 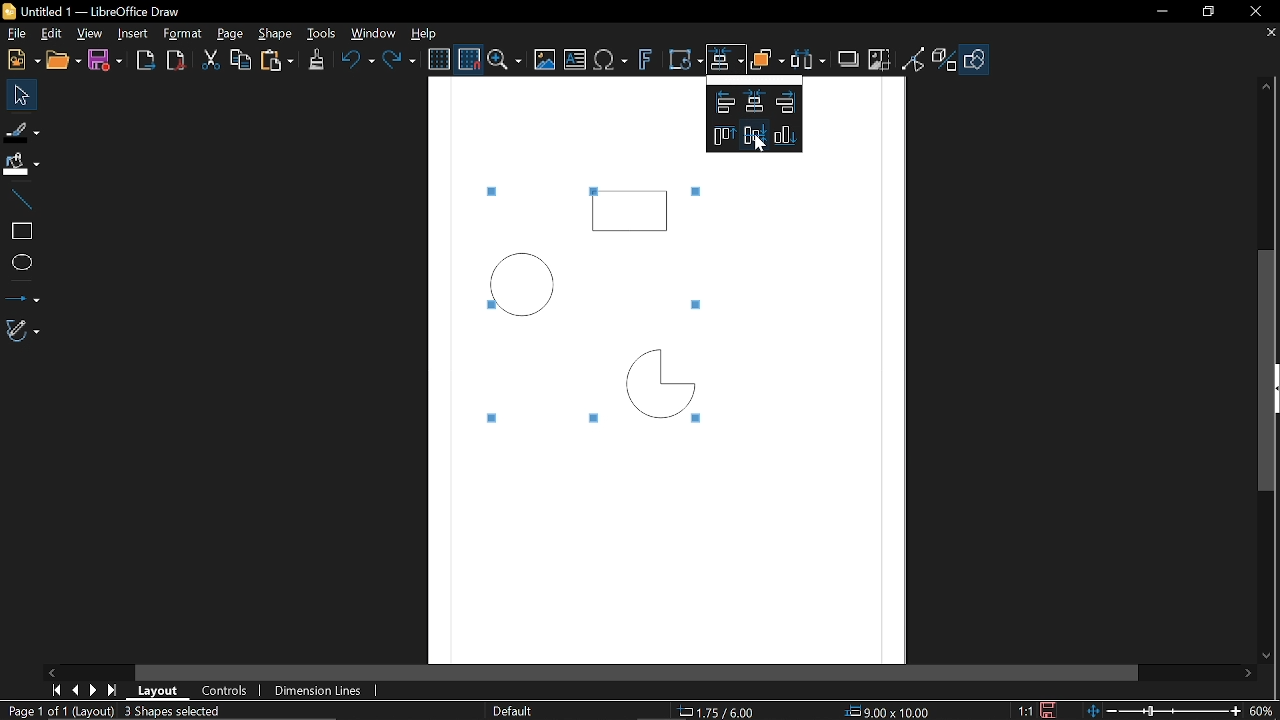 What do you see at coordinates (22, 331) in the screenshot?
I see `Curves and polygons` at bounding box center [22, 331].